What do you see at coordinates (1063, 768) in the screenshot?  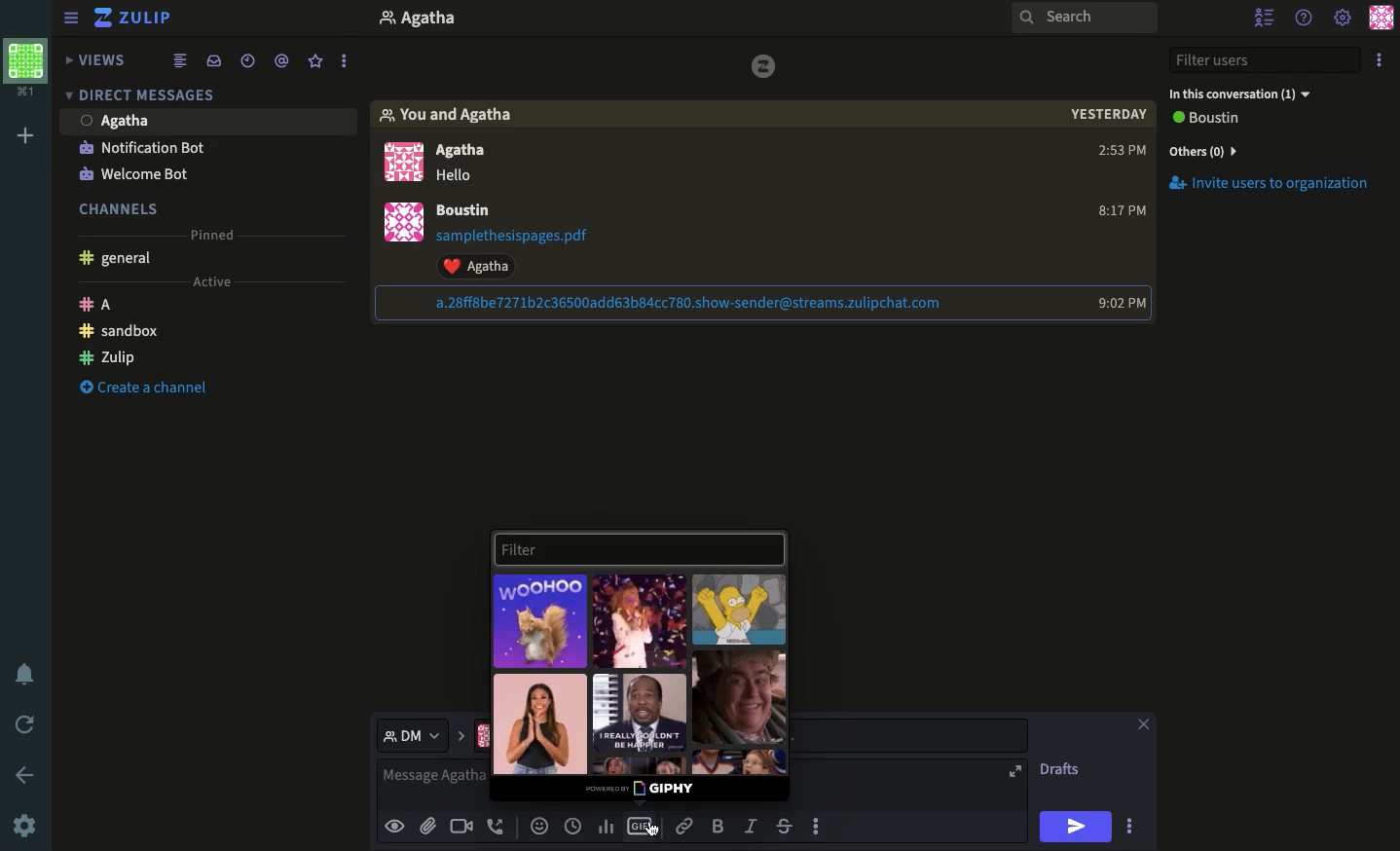 I see `Drafts` at bounding box center [1063, 768].